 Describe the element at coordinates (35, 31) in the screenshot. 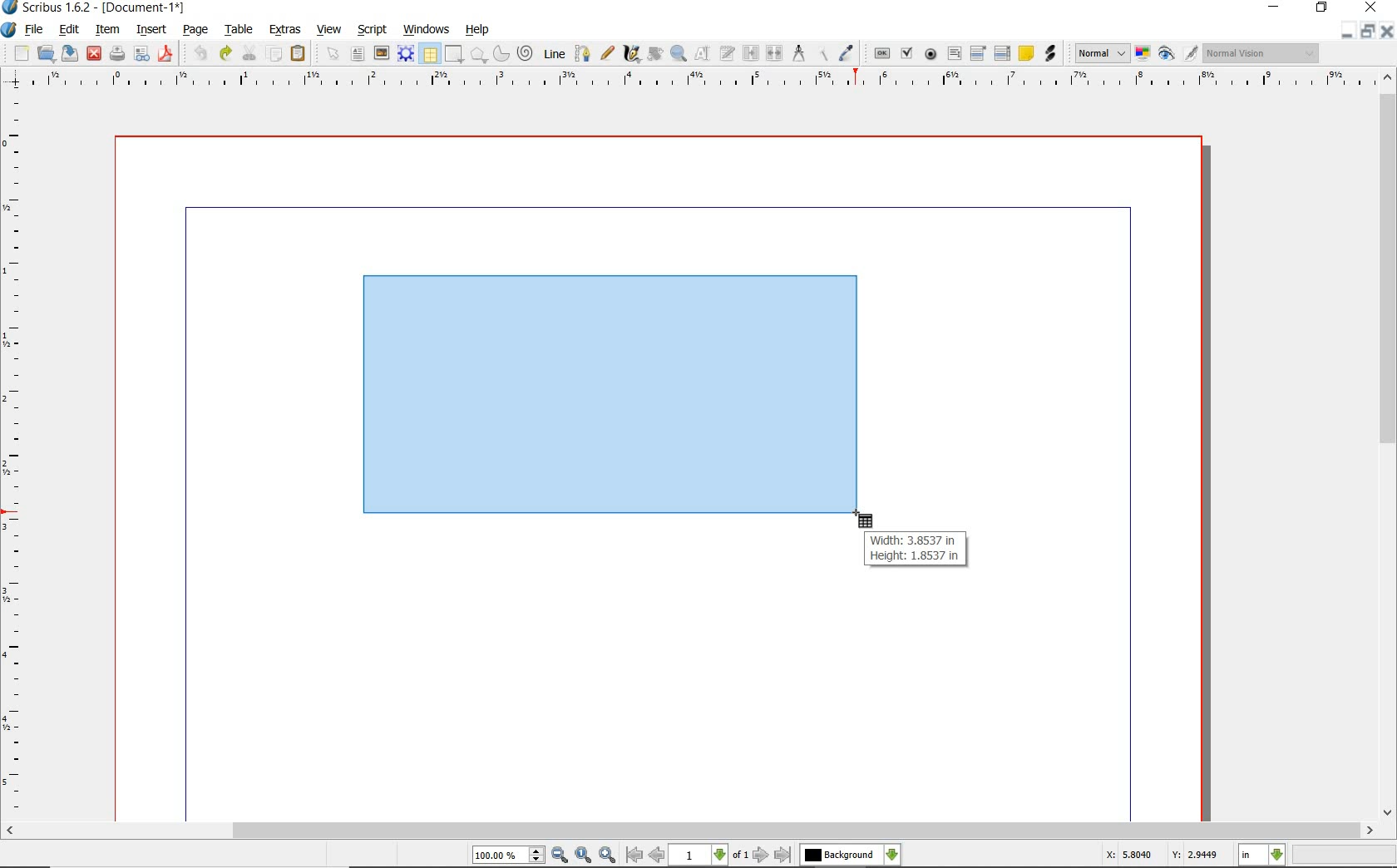

I see `file` at that location.